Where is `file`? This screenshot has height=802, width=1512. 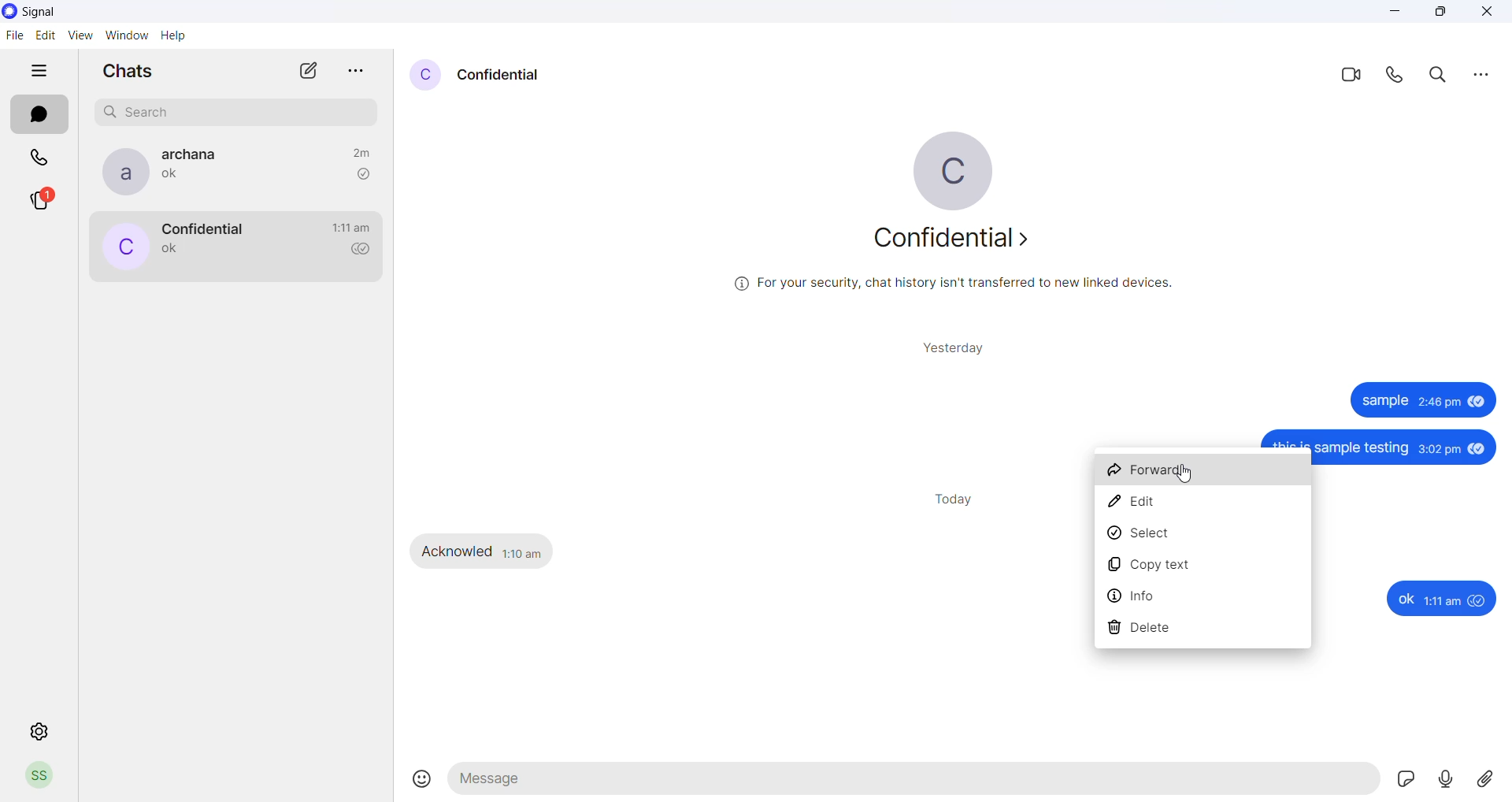 file is located at coordinates (13, 37).